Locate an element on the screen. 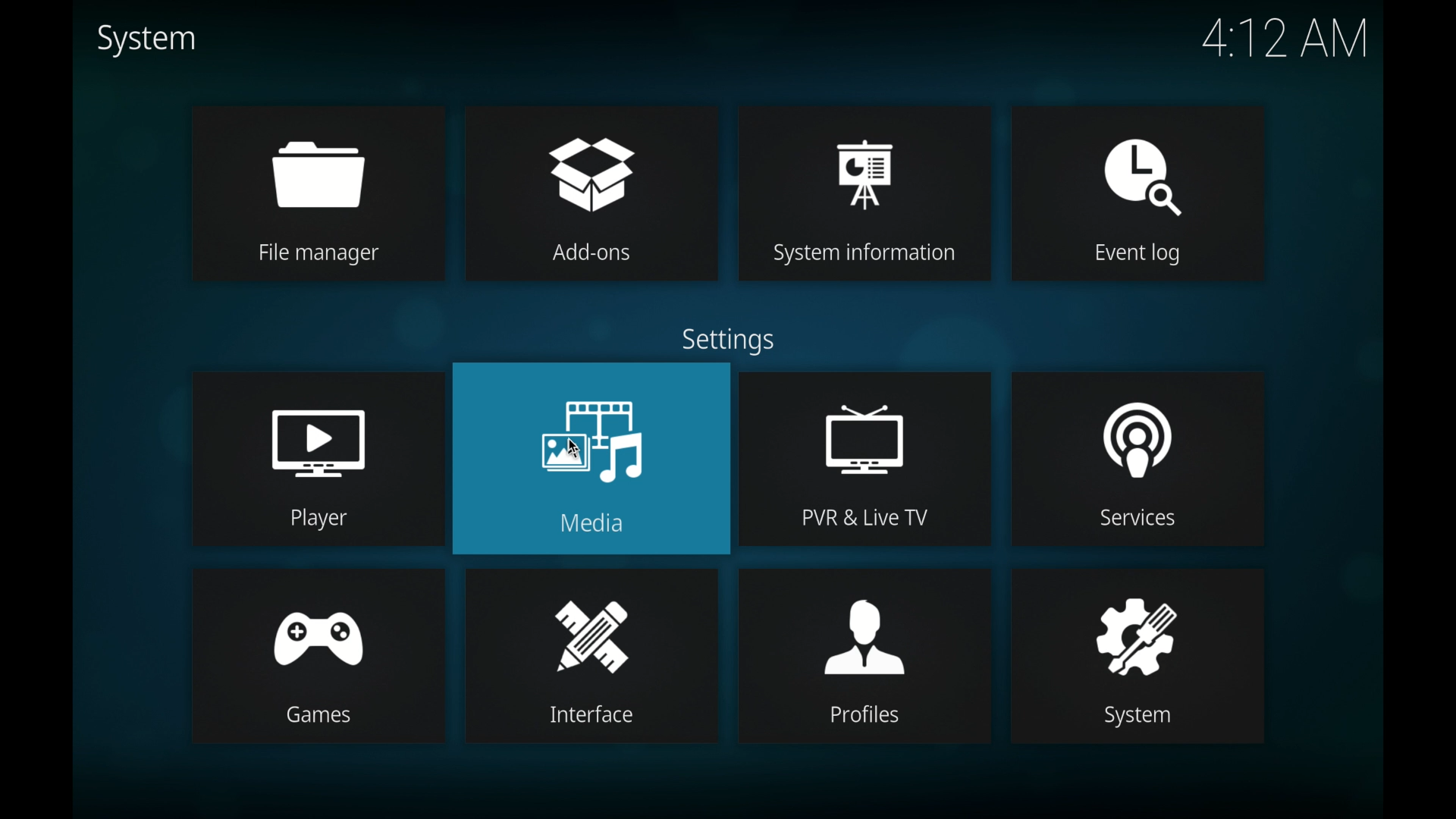 Image resolution: width=1456 pixels, height=819 pixels. event log is located at coordinates (1137, 158).